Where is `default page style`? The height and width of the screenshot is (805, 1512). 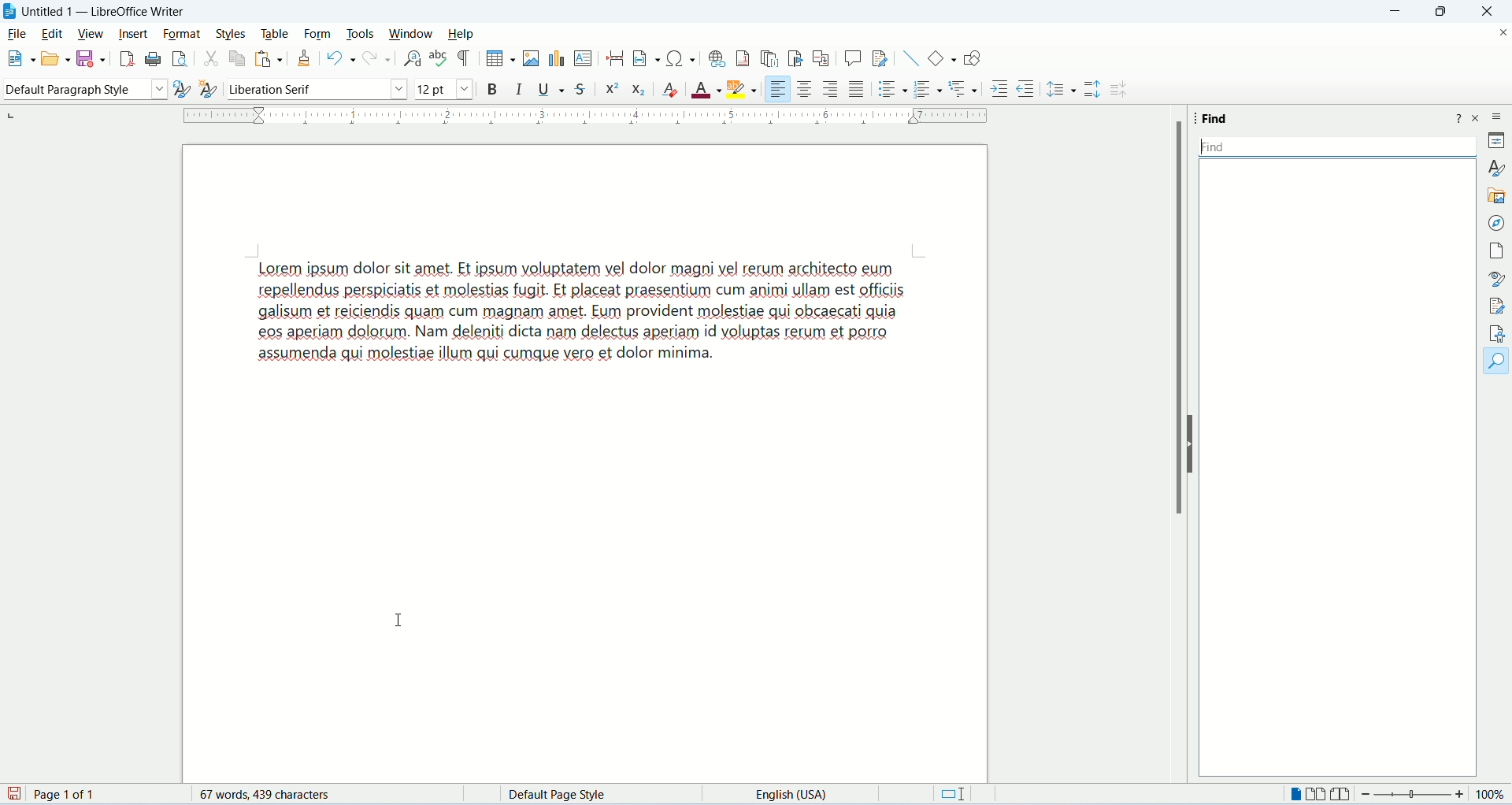 default page style is located at coordinates (563, 794).